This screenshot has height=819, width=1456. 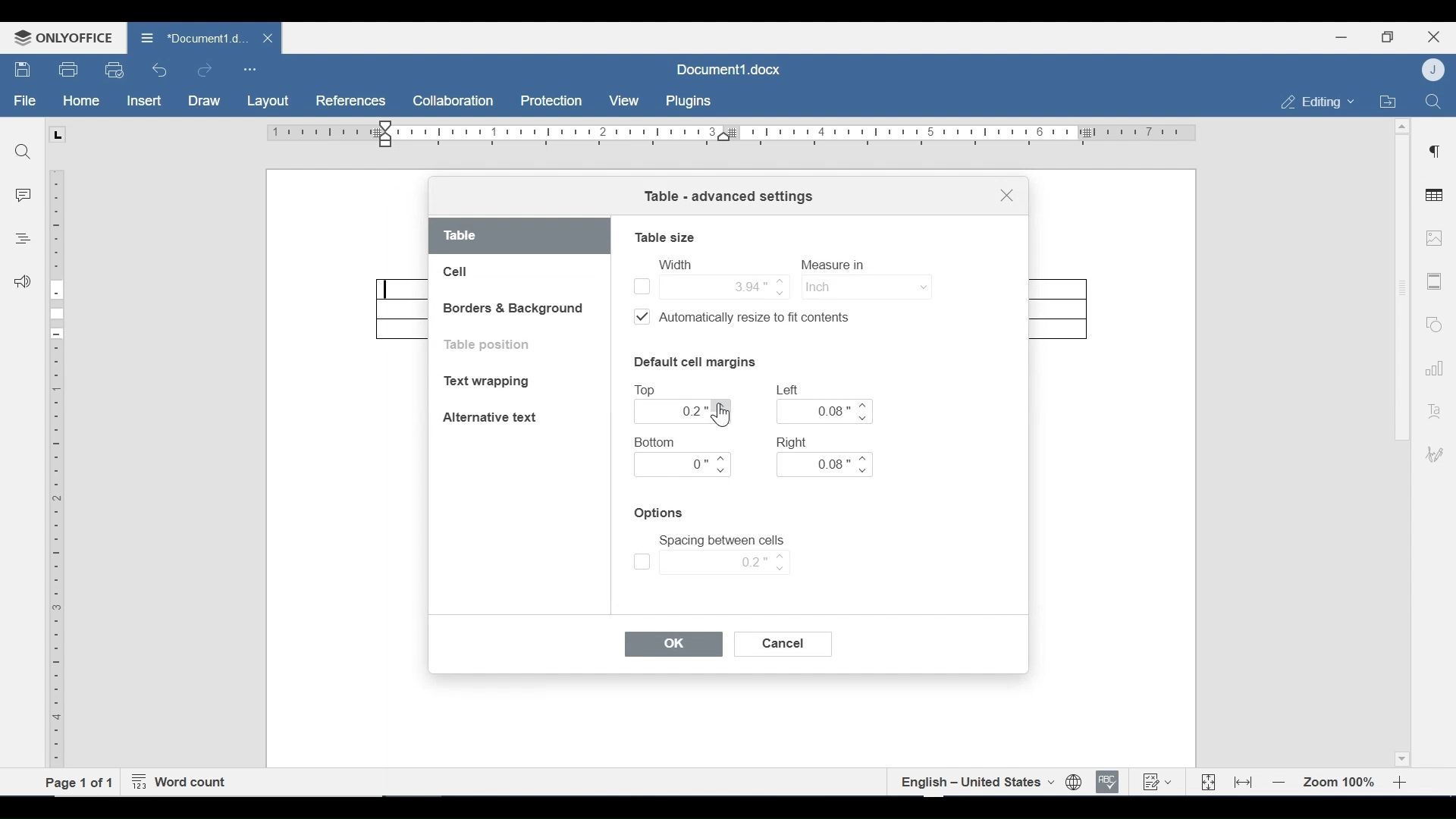 What do you see at coordinates (24, 70) in the screenshot?
I see `Save` at bounding box center [24, 70].